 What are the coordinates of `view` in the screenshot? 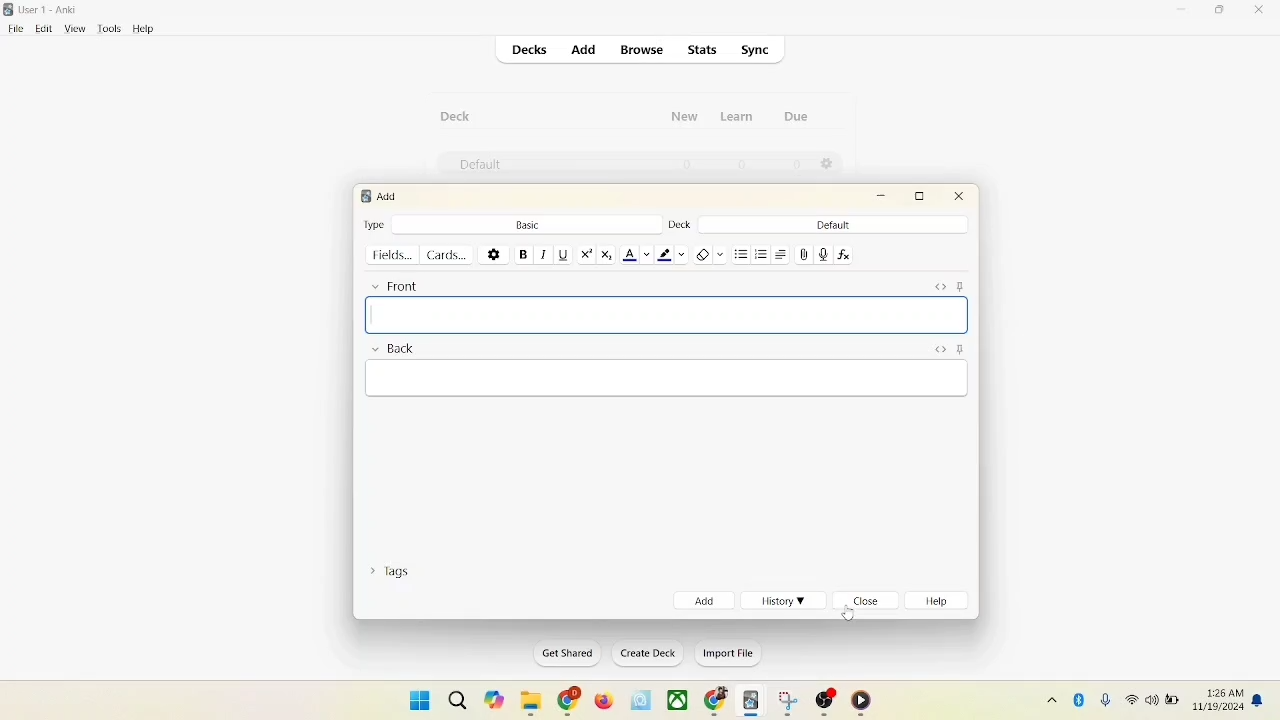 It's located at (77, 30).